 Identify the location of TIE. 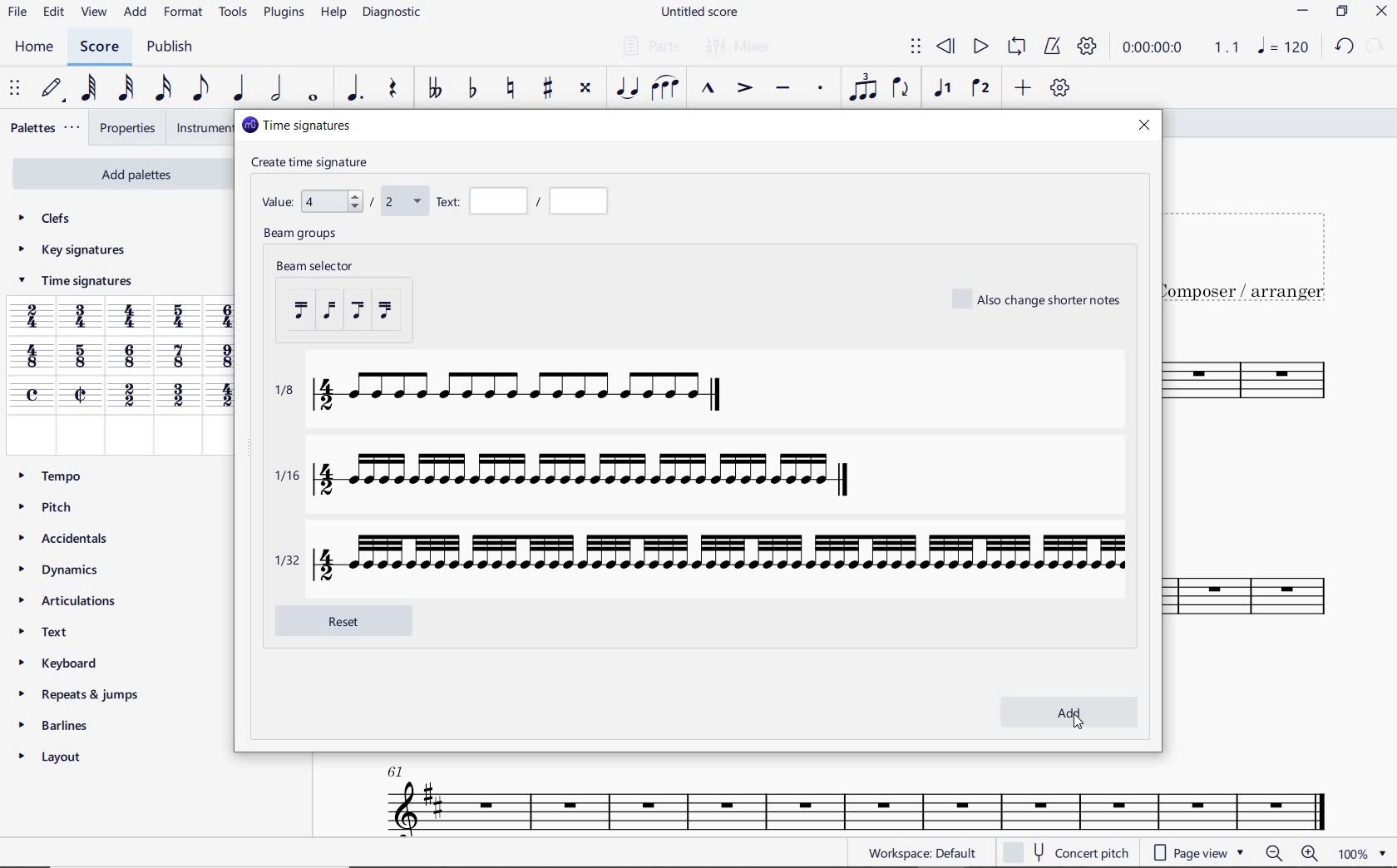
(627, 86).